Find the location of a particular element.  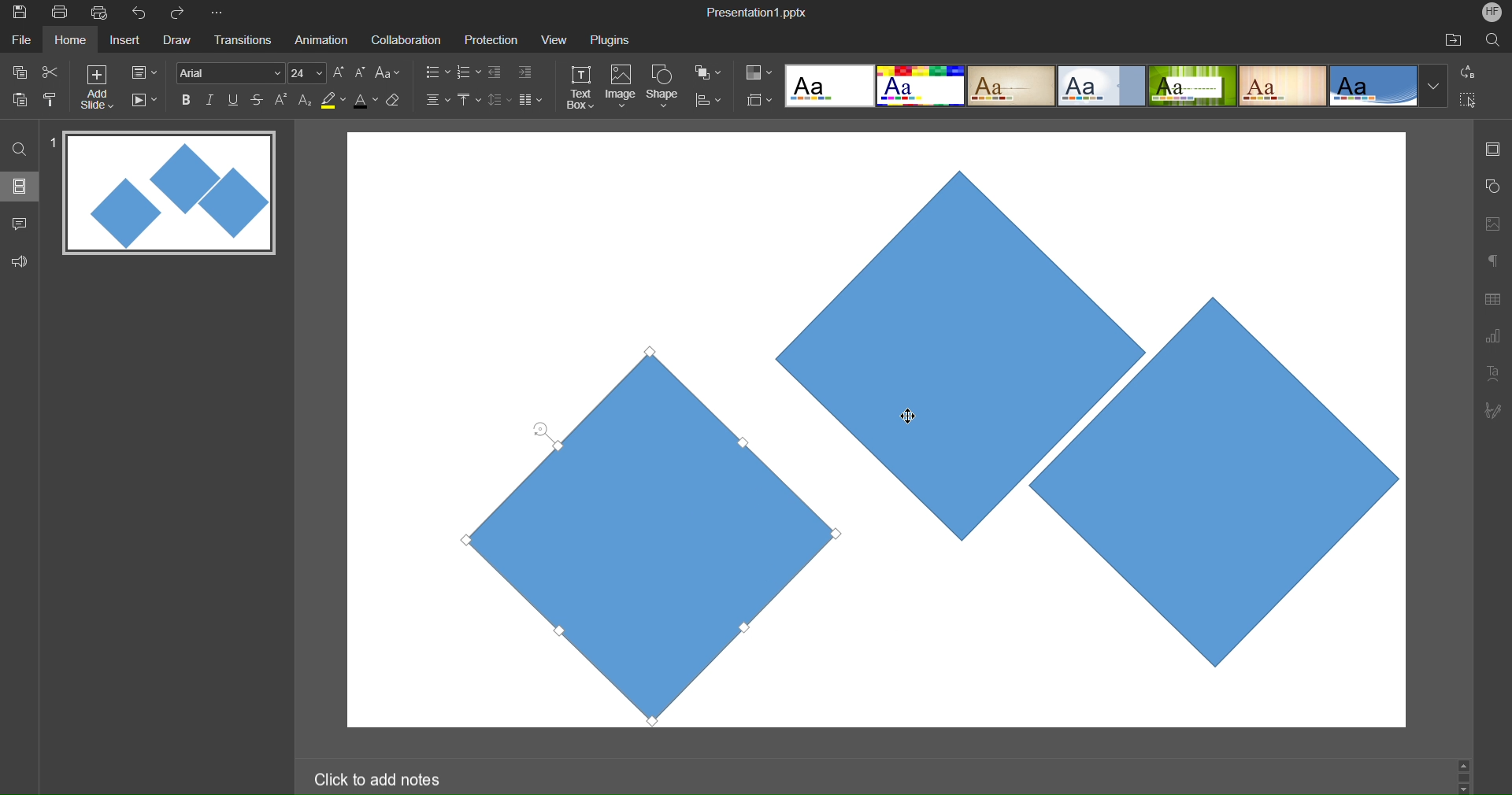

Font is located at coordinates (228, 72).